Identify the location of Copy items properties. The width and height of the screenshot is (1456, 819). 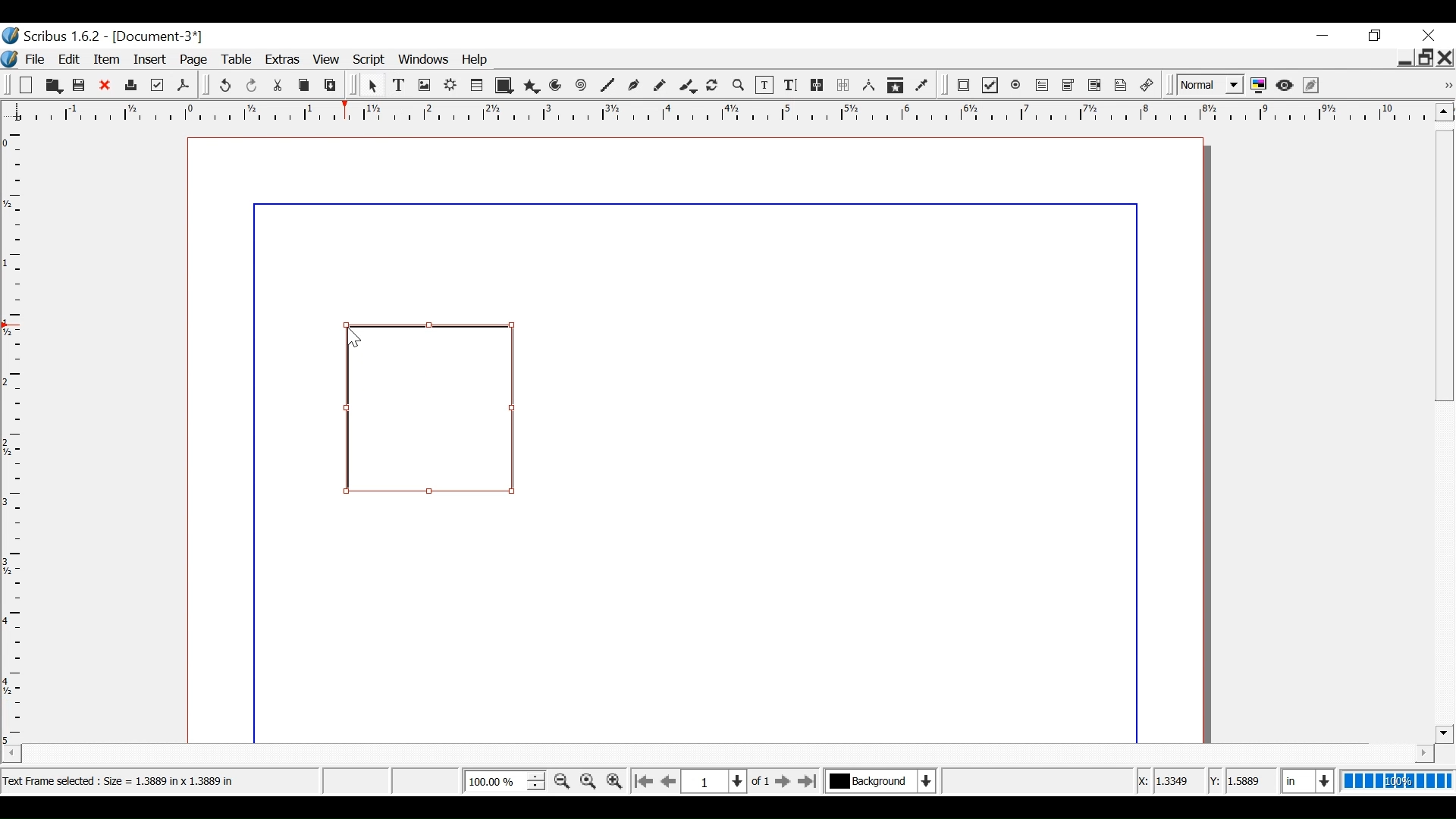
(895, 86).